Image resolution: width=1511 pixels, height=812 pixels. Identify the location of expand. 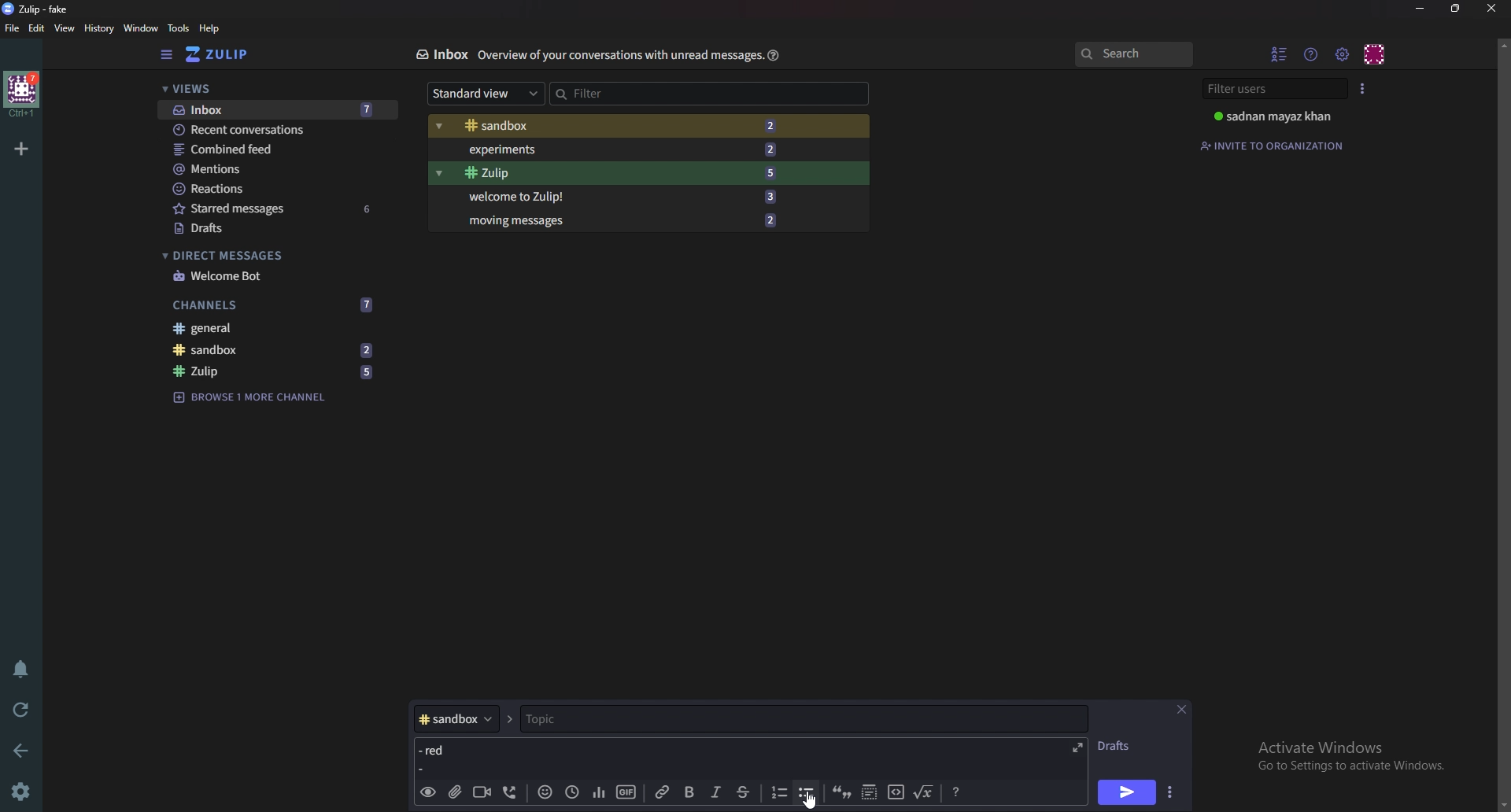
(1075, 747).